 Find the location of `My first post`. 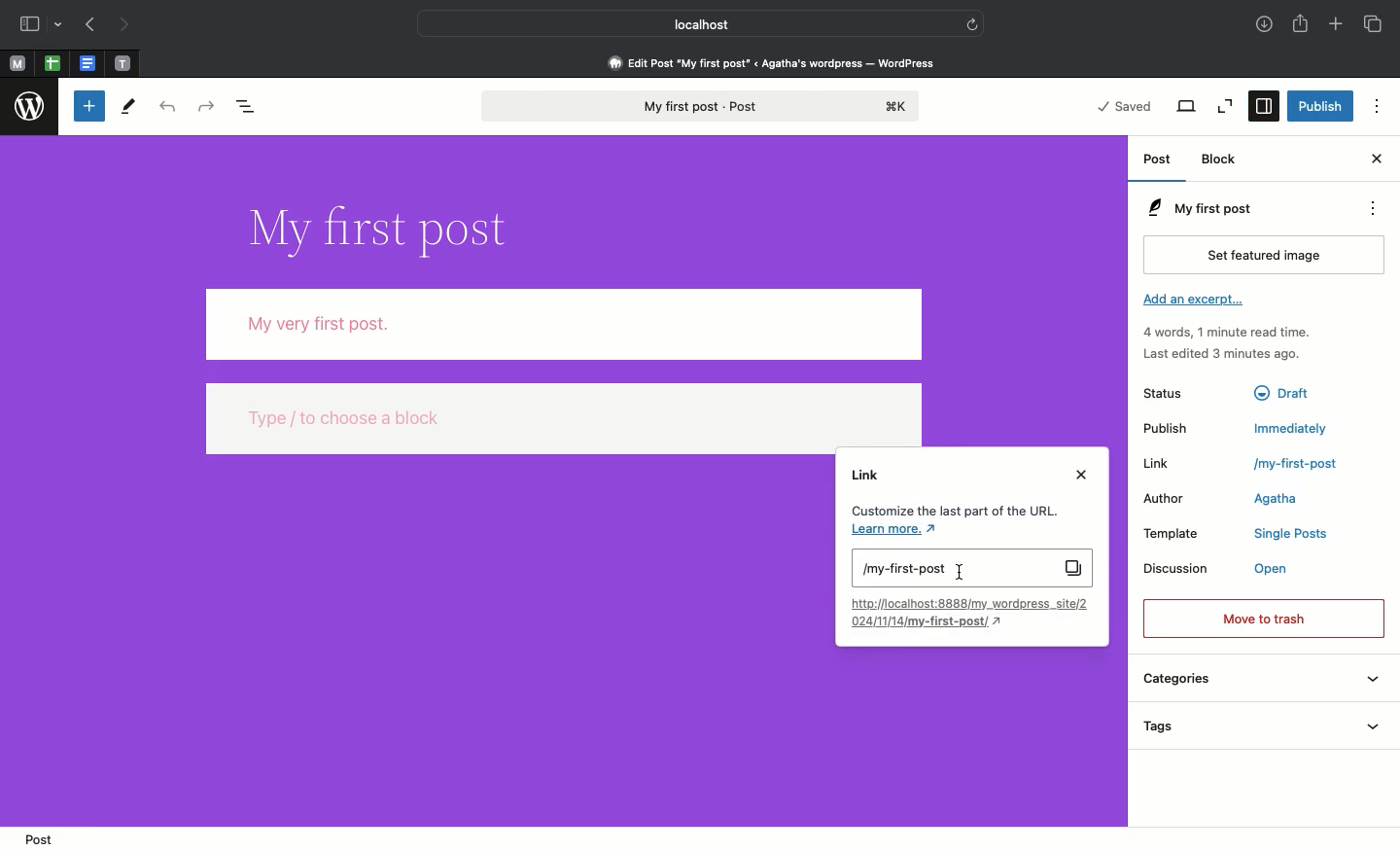

My first post is located at coordinates (704, 107).